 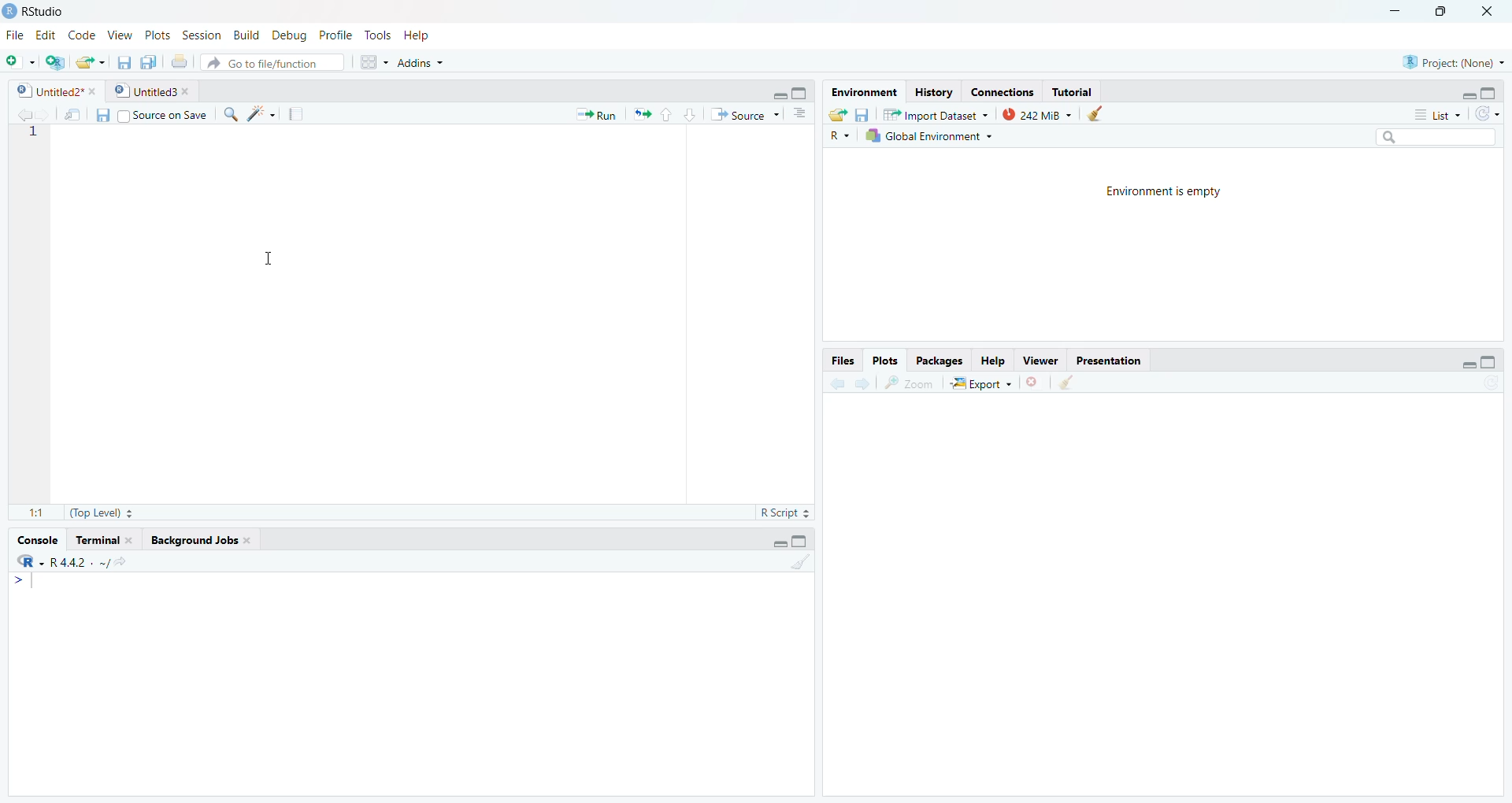 What do you see at coordinates (1490, 362) in the screenshot?
I see `maximize` at bounding box center [1490, 362].